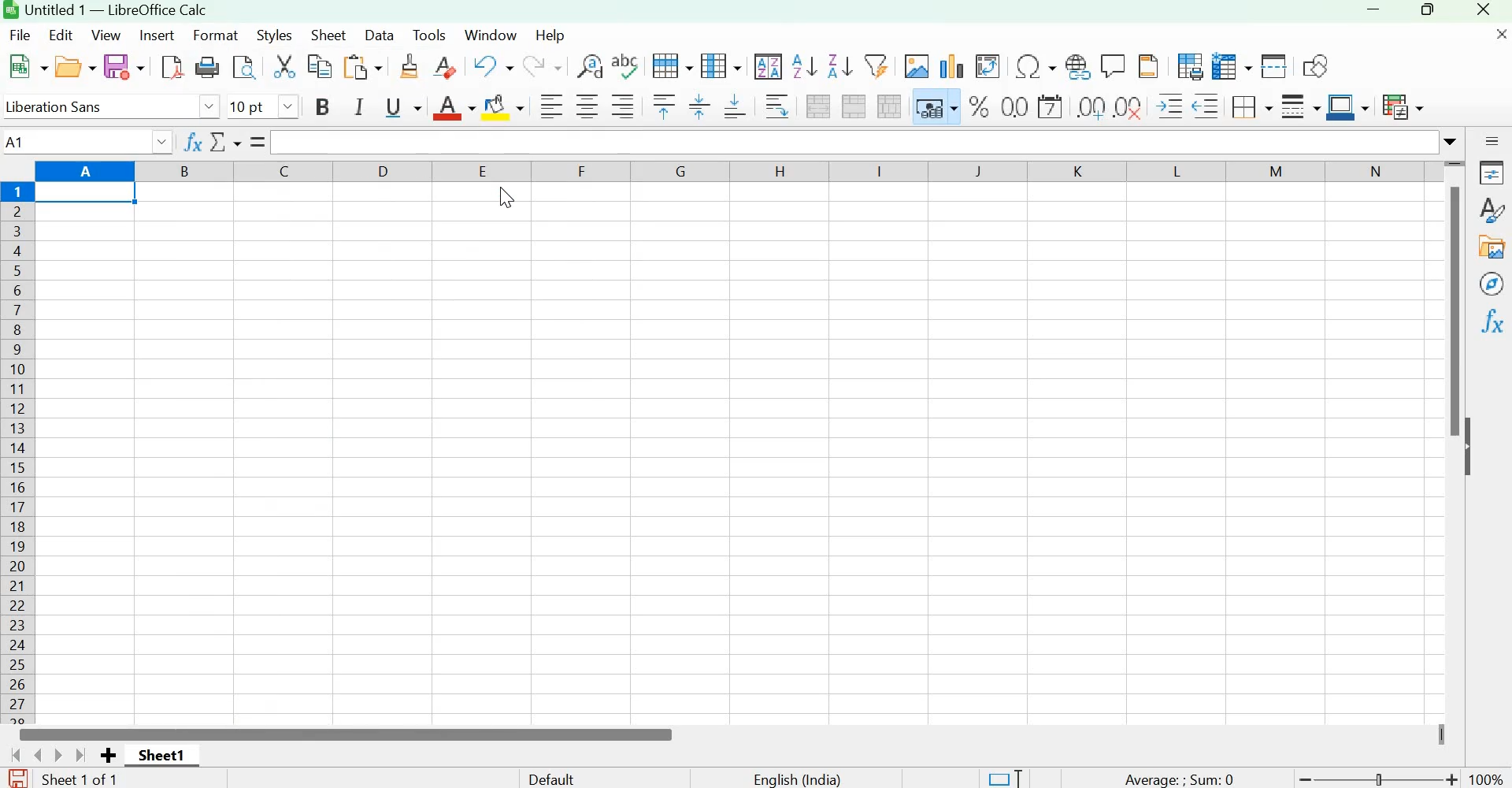 The image size is (1512, 788). What do you see at coordinates (274, 36) in the screenshot?
I see `Styles` at bounding box center [274, 36].